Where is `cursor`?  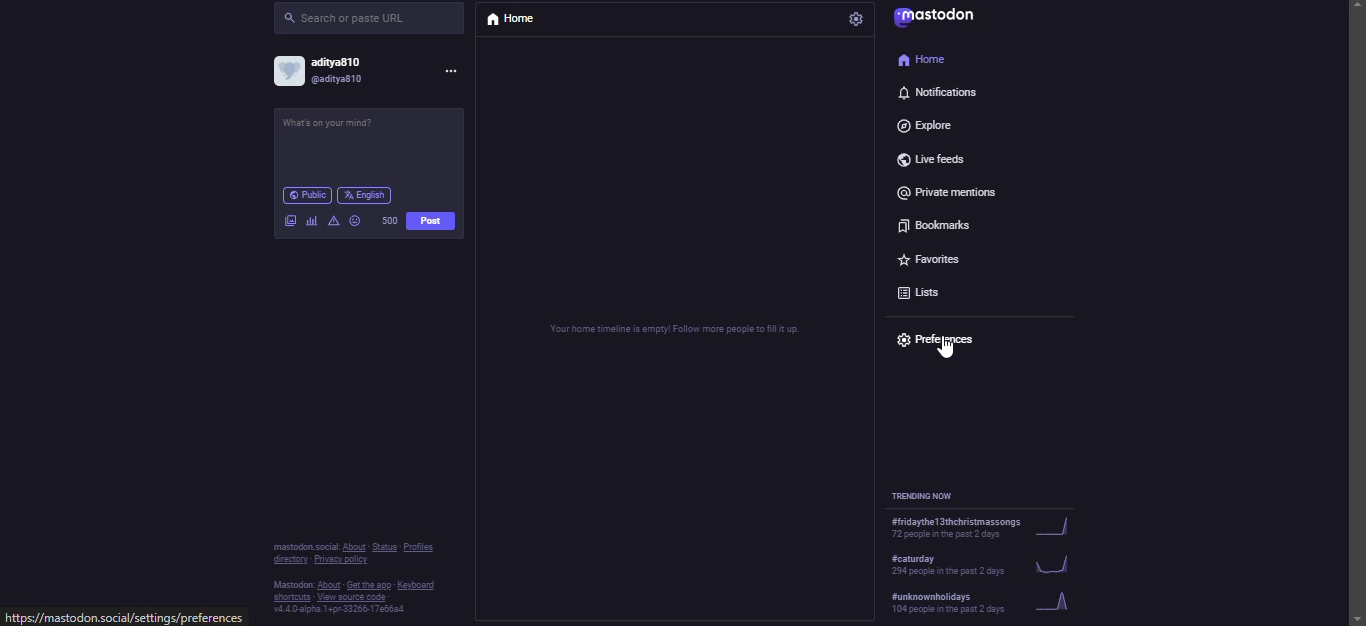 cursor is located at coordinates (941, 351).